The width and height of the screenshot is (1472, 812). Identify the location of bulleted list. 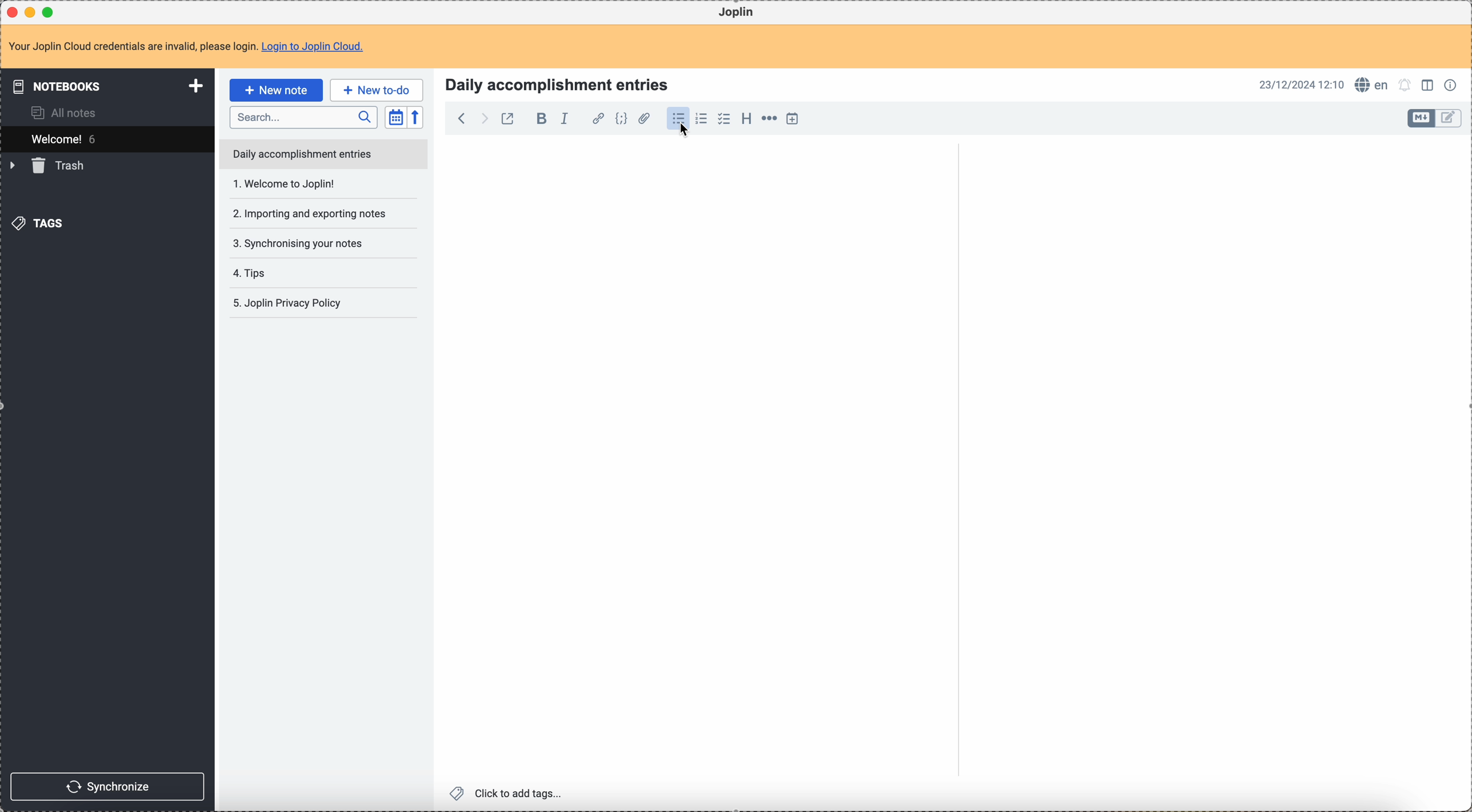
(678, 120).